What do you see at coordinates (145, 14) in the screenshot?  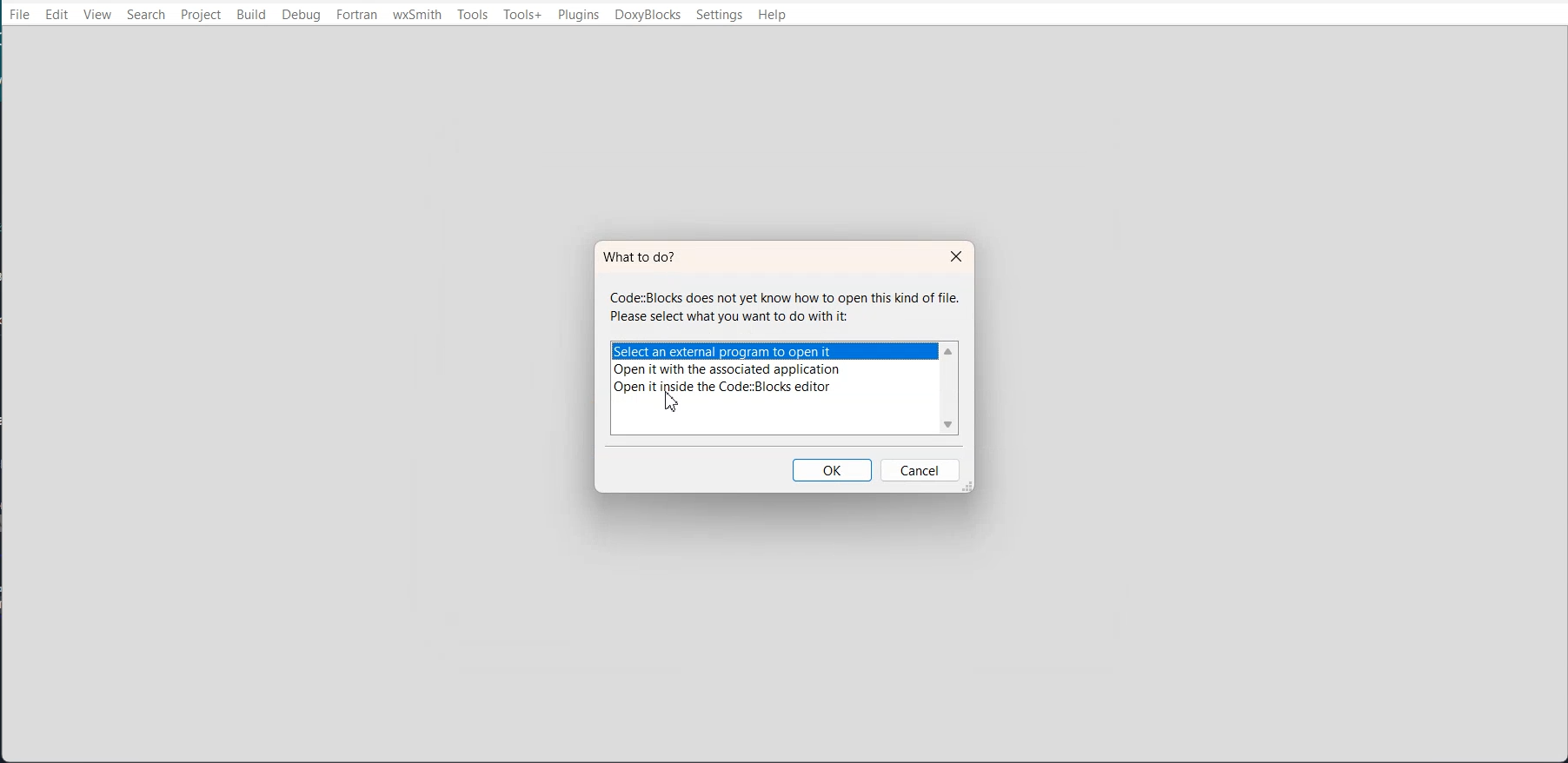 I see `Search` at bounding box center [145, 14].